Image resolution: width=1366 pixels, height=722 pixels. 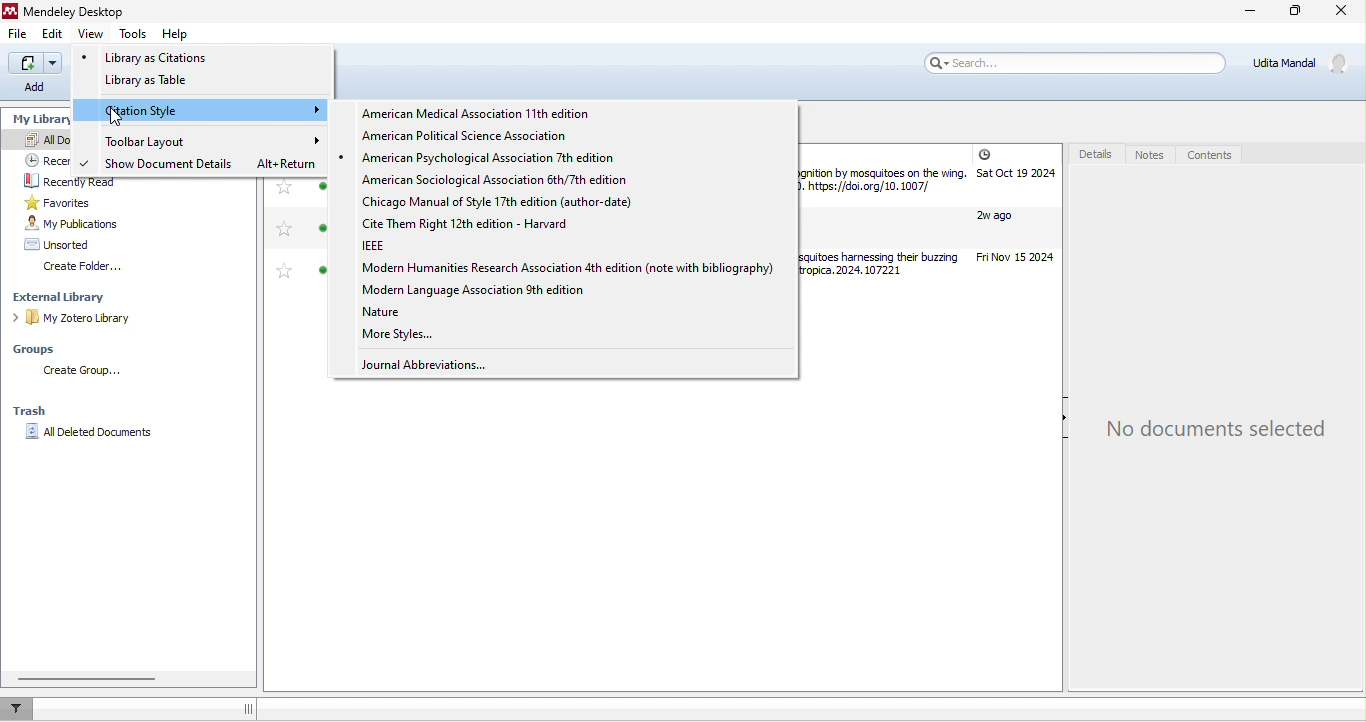 What do you see at coordinates (172, 165) in the screenshot?
I see `show Document Details` at bounding box center [172, 165].